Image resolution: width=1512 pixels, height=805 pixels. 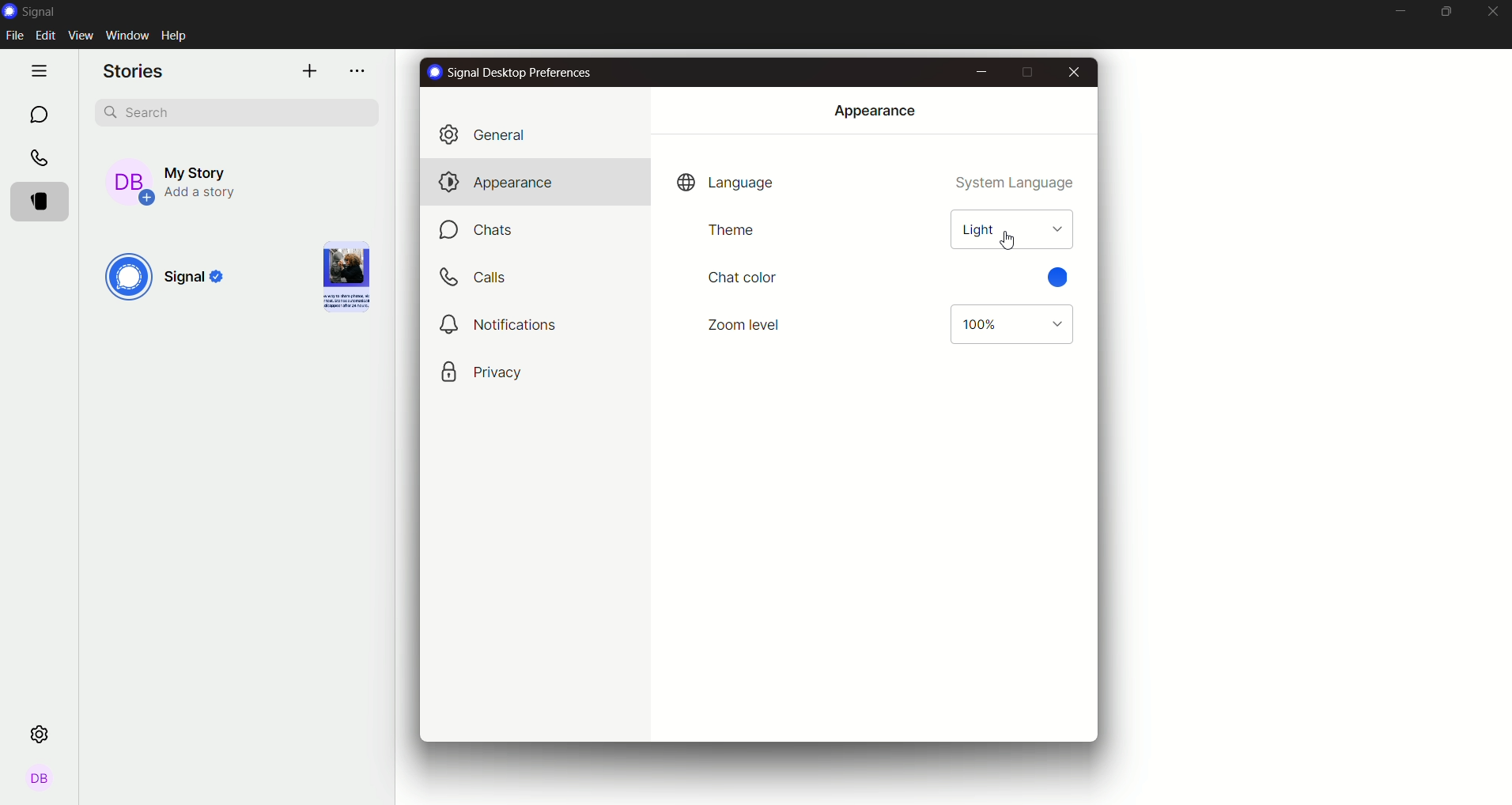 I want to click on close, so click(x=1072, y=72).